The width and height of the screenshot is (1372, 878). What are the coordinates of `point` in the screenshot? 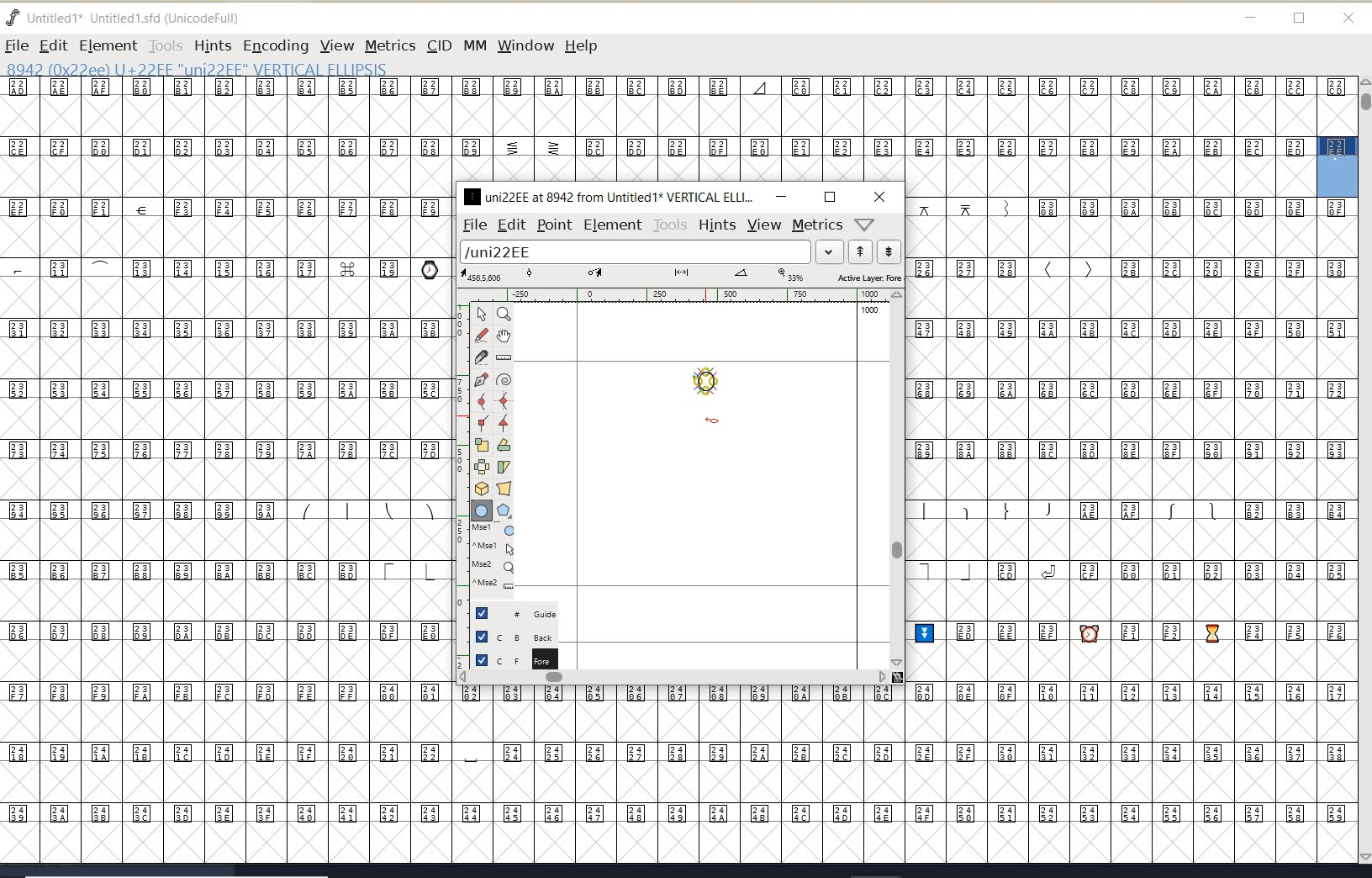 It's located at (553, 225).